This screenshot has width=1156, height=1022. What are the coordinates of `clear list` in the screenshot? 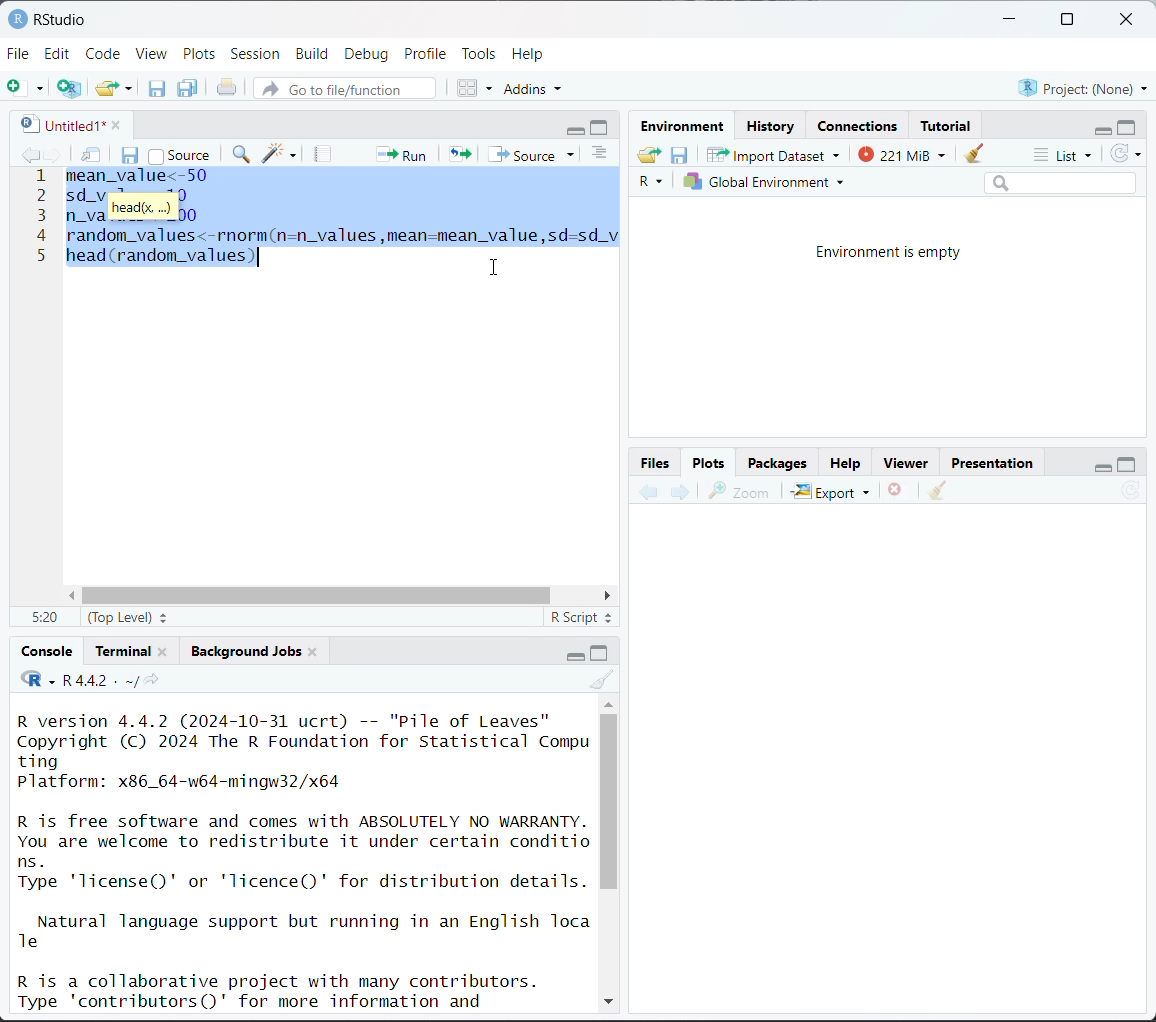 It's located at (131, 88).